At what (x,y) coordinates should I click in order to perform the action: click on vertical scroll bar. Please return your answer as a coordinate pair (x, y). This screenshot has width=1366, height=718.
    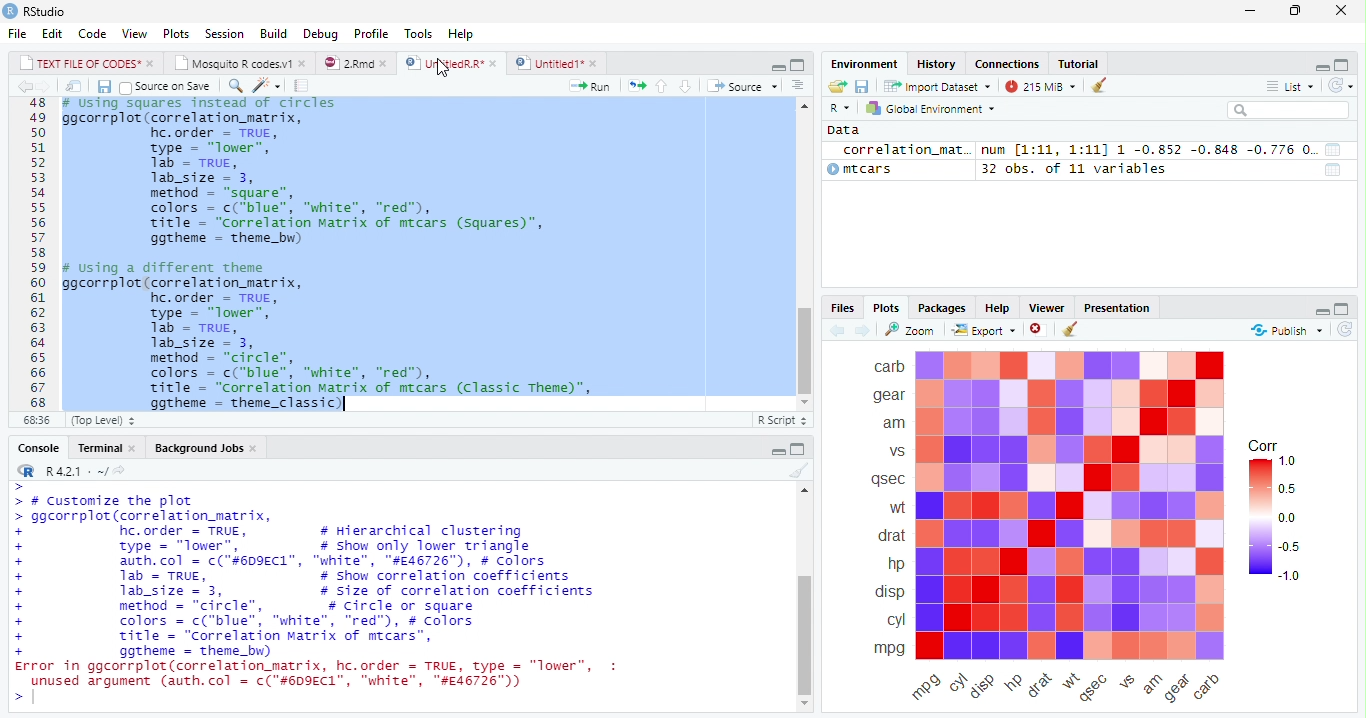
    Looking at the image, I should click on (803, 258).